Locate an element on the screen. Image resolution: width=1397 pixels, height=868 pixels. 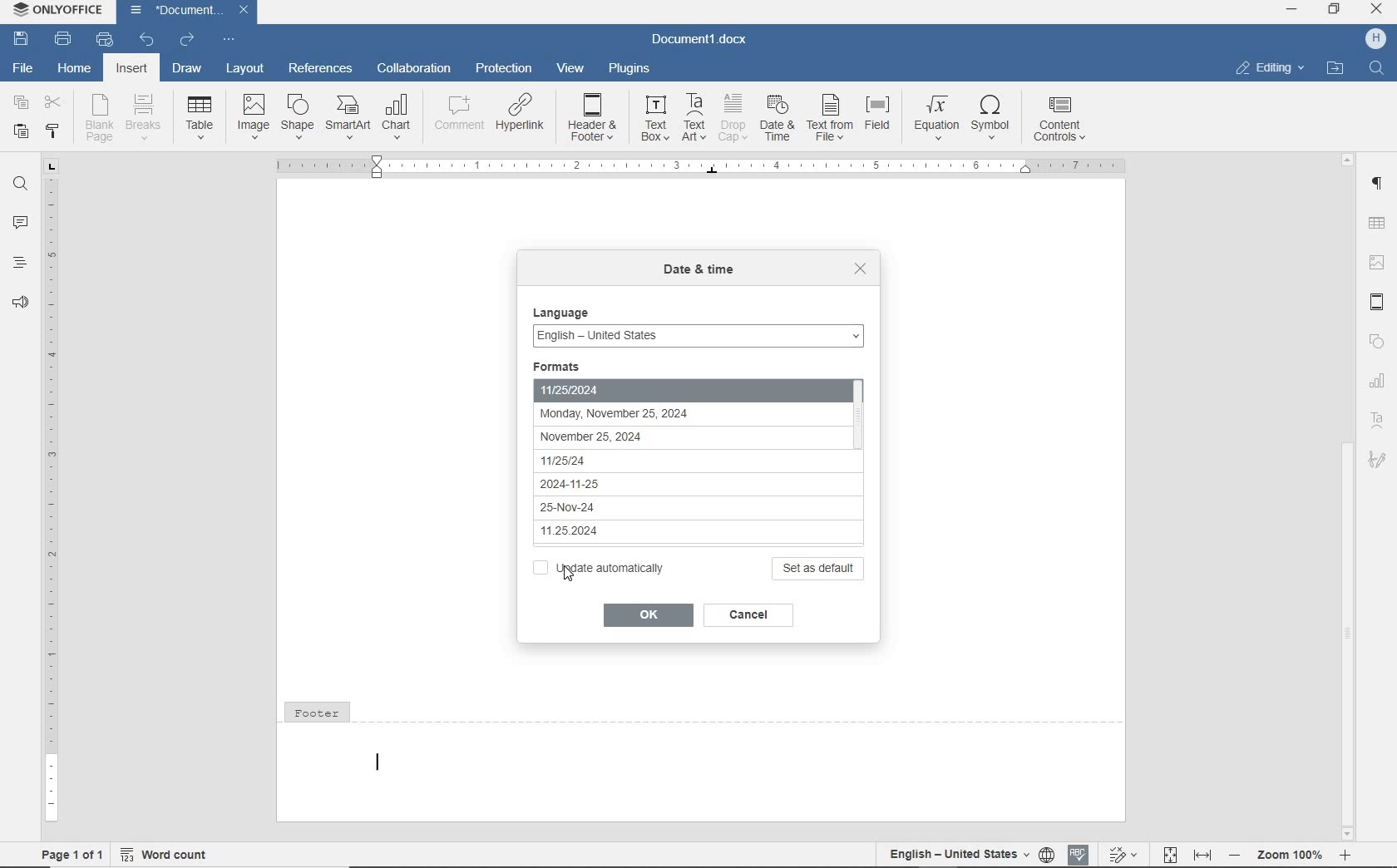
headings is located at coordinates (18, 263).